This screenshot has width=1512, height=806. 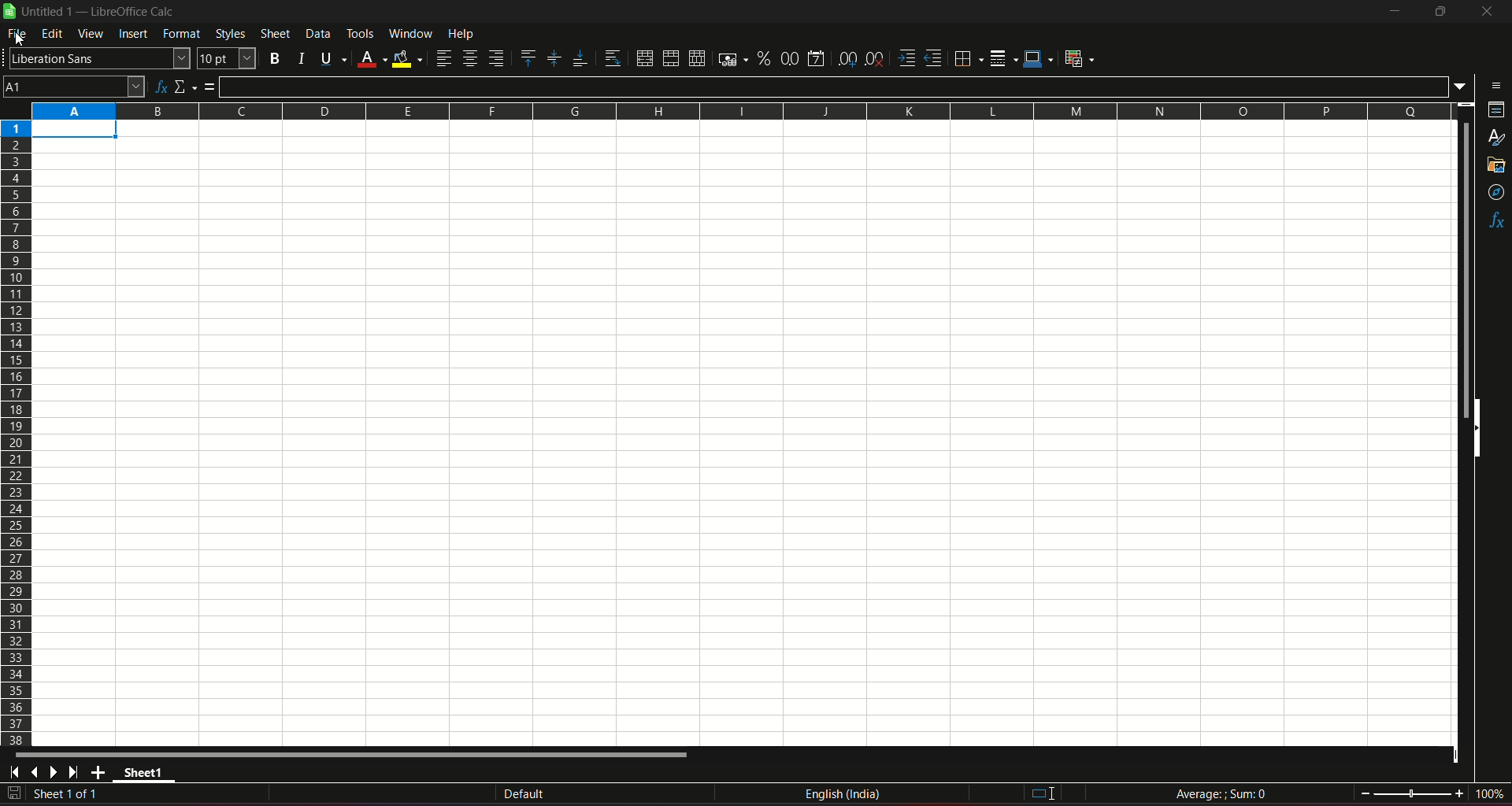 I want to click on close, so click(x=1484, y=14).